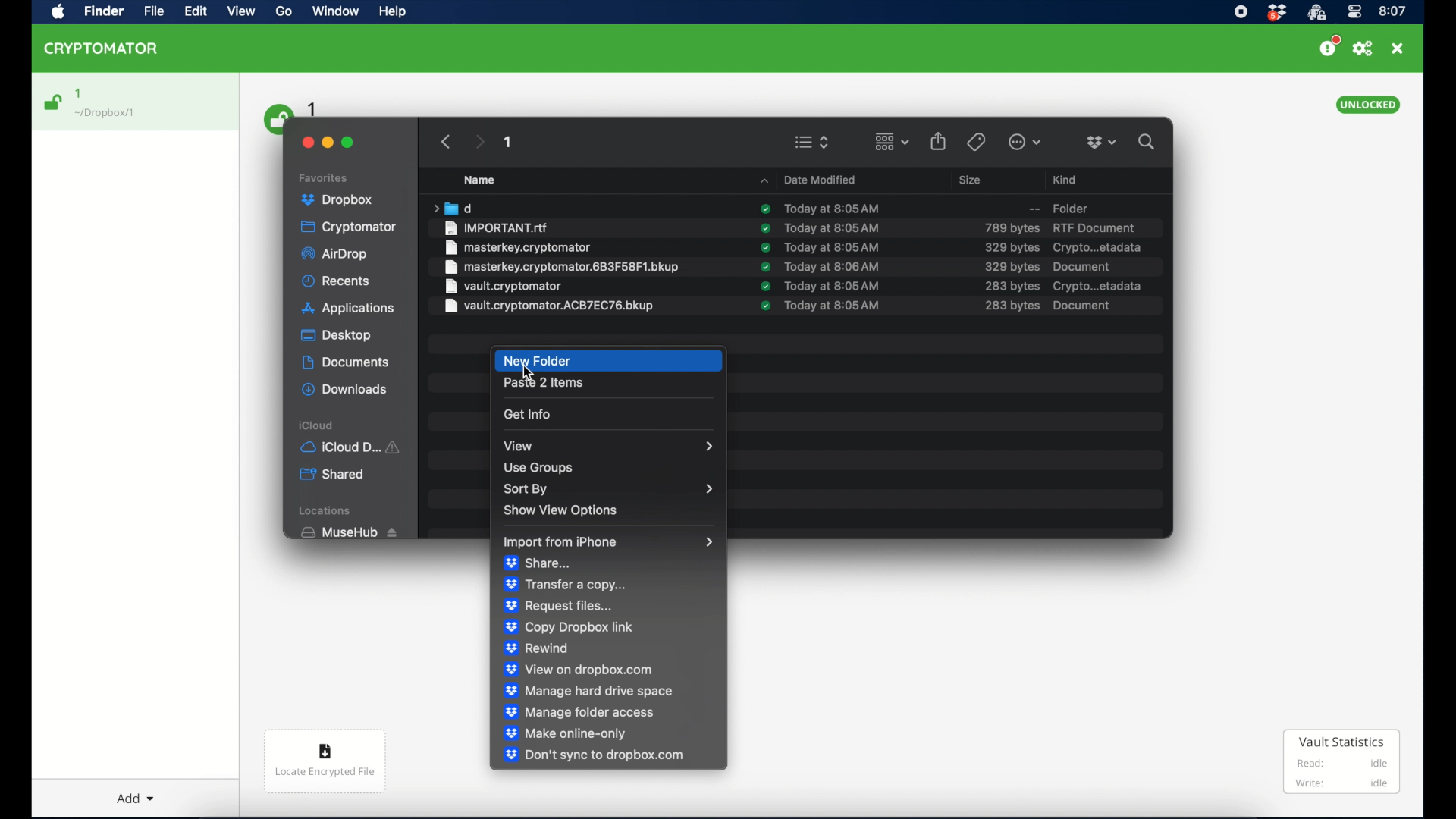 The image size is (1456, 819). Describe the element at coordinates (108, 51) in the screenshot. I see `CRYPTOMATOR` at that location.